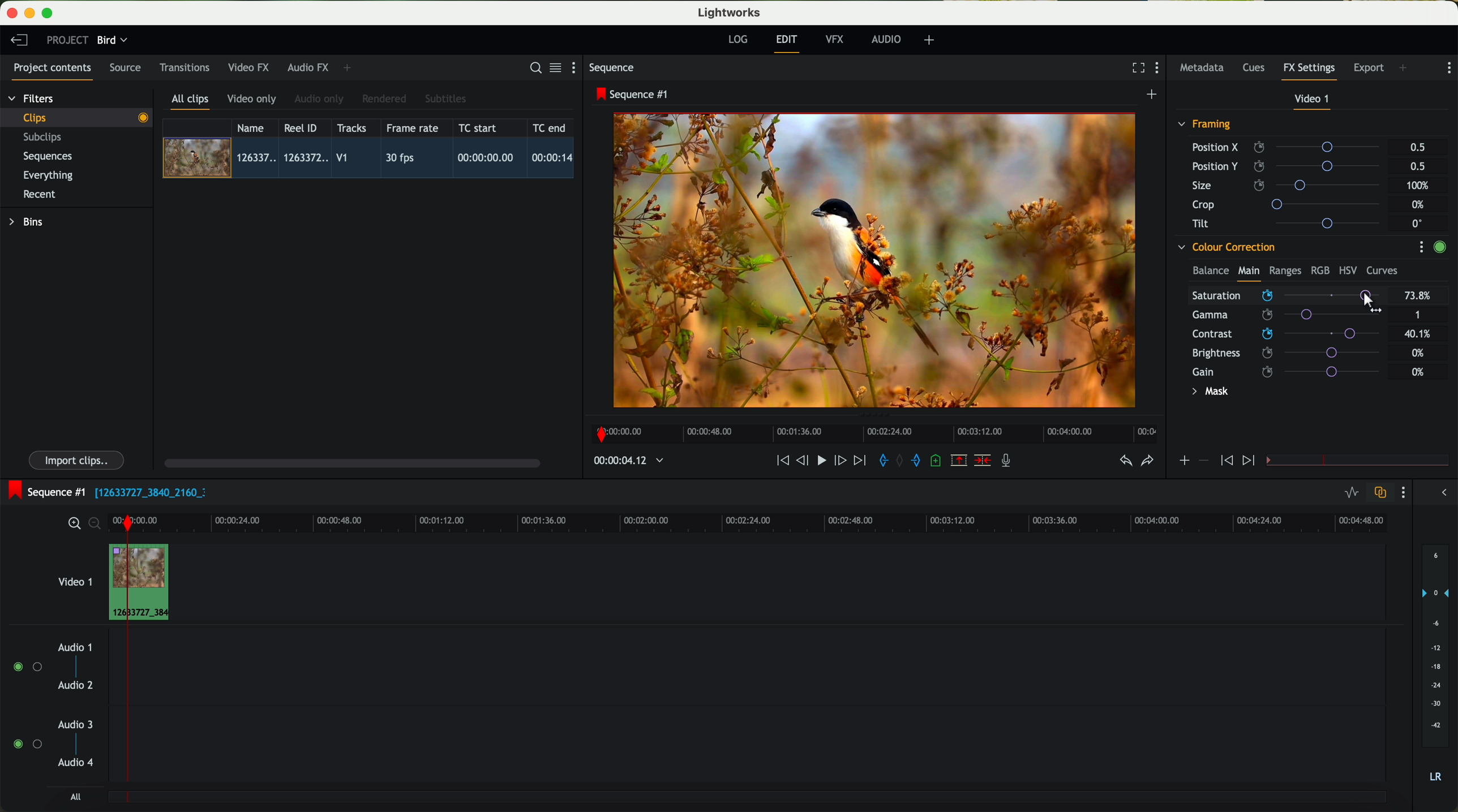  Describe the element at coordinates (251, 100) in the screenshot. I see `video only` at that location.